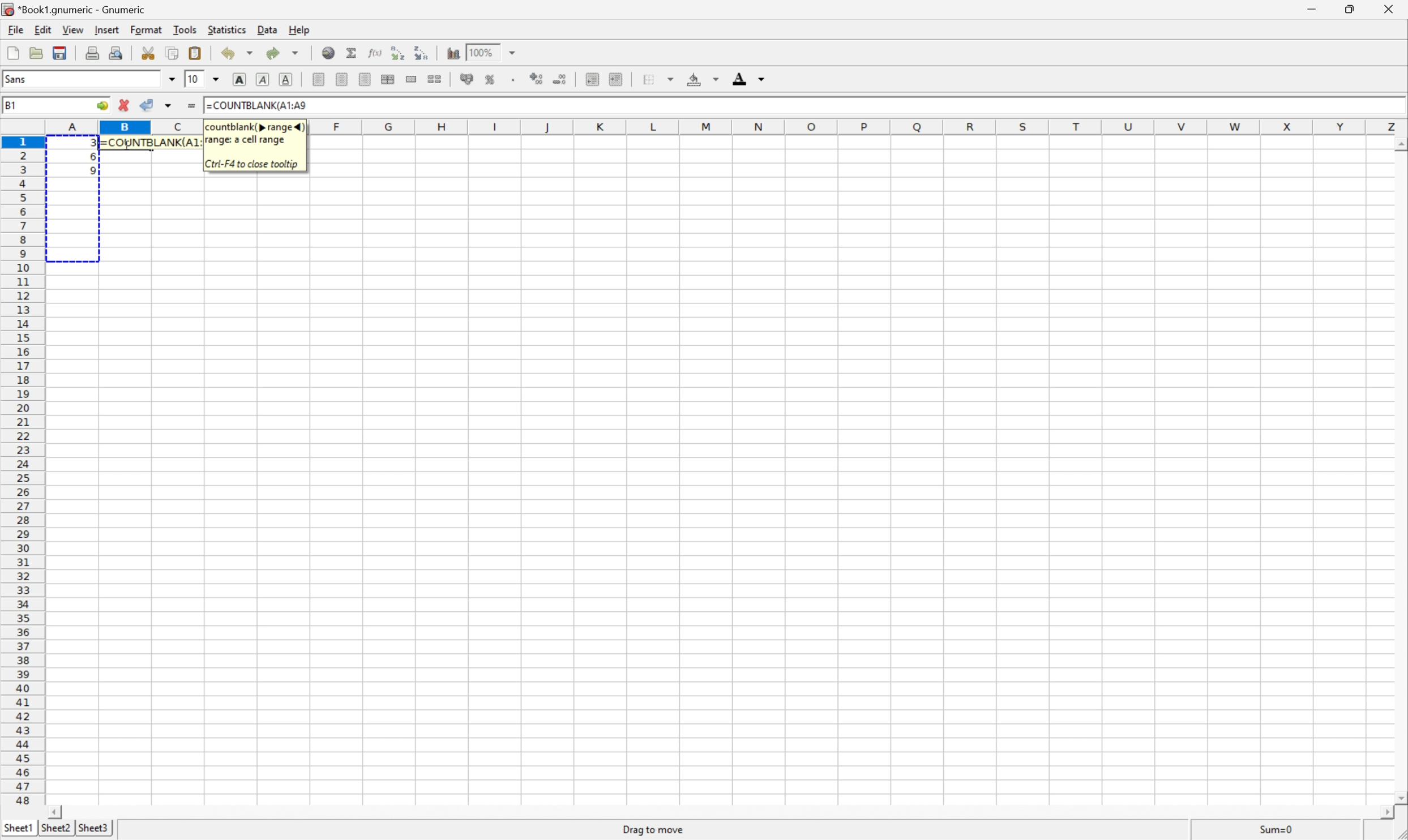  What do you see at coordinates (287, 79) in the screenshot?
I see `Underline` at bounding box center [287, 79].